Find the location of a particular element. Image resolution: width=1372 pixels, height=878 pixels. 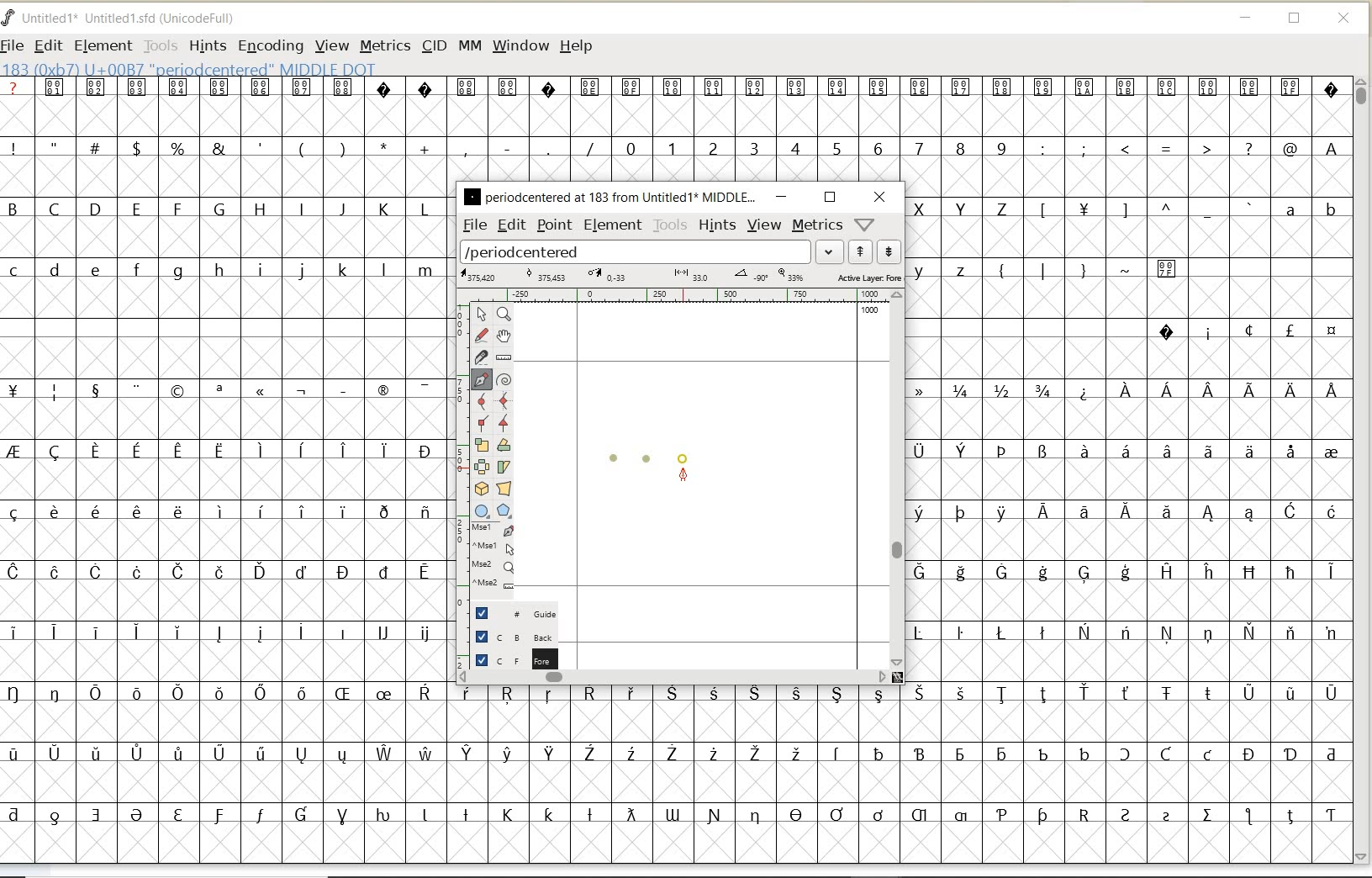

VIEW is located at coordinates (332, 46).